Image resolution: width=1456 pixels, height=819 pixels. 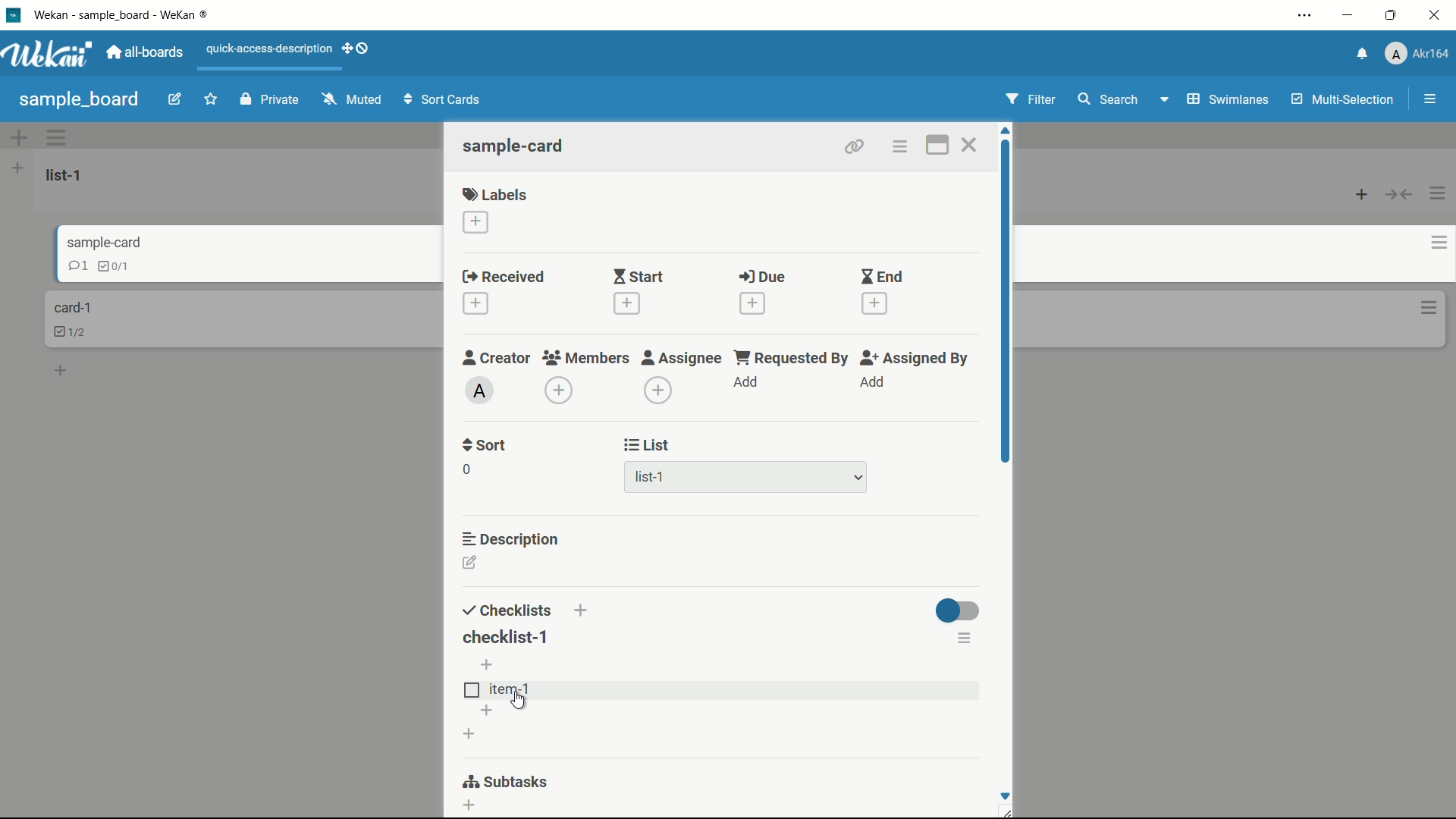 What do you see at coordinates (477, 303) in the screenshot?
I see `add date` at bounding box center [477, 303].